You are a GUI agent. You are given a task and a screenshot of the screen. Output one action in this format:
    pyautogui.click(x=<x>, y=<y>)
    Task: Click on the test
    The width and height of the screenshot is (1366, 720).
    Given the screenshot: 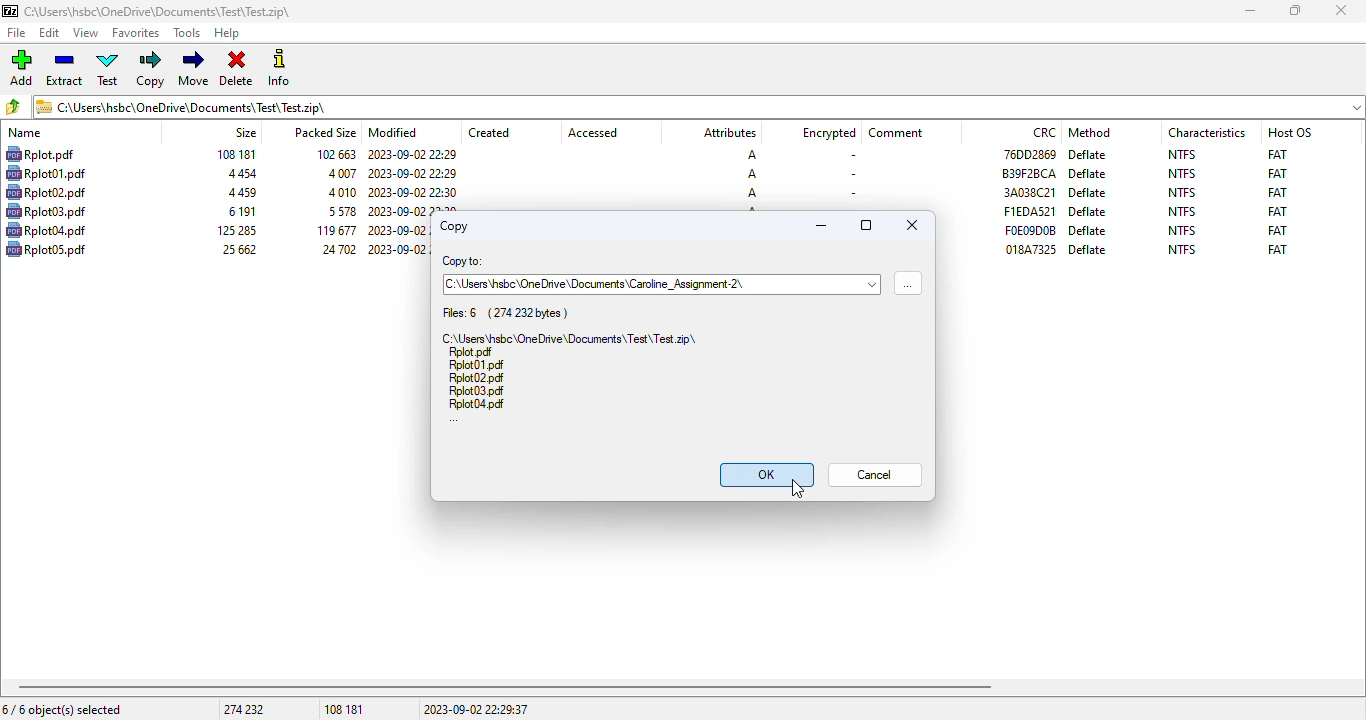 What is the action you would take?
    pyautogui.click(x=109, y=69)
    